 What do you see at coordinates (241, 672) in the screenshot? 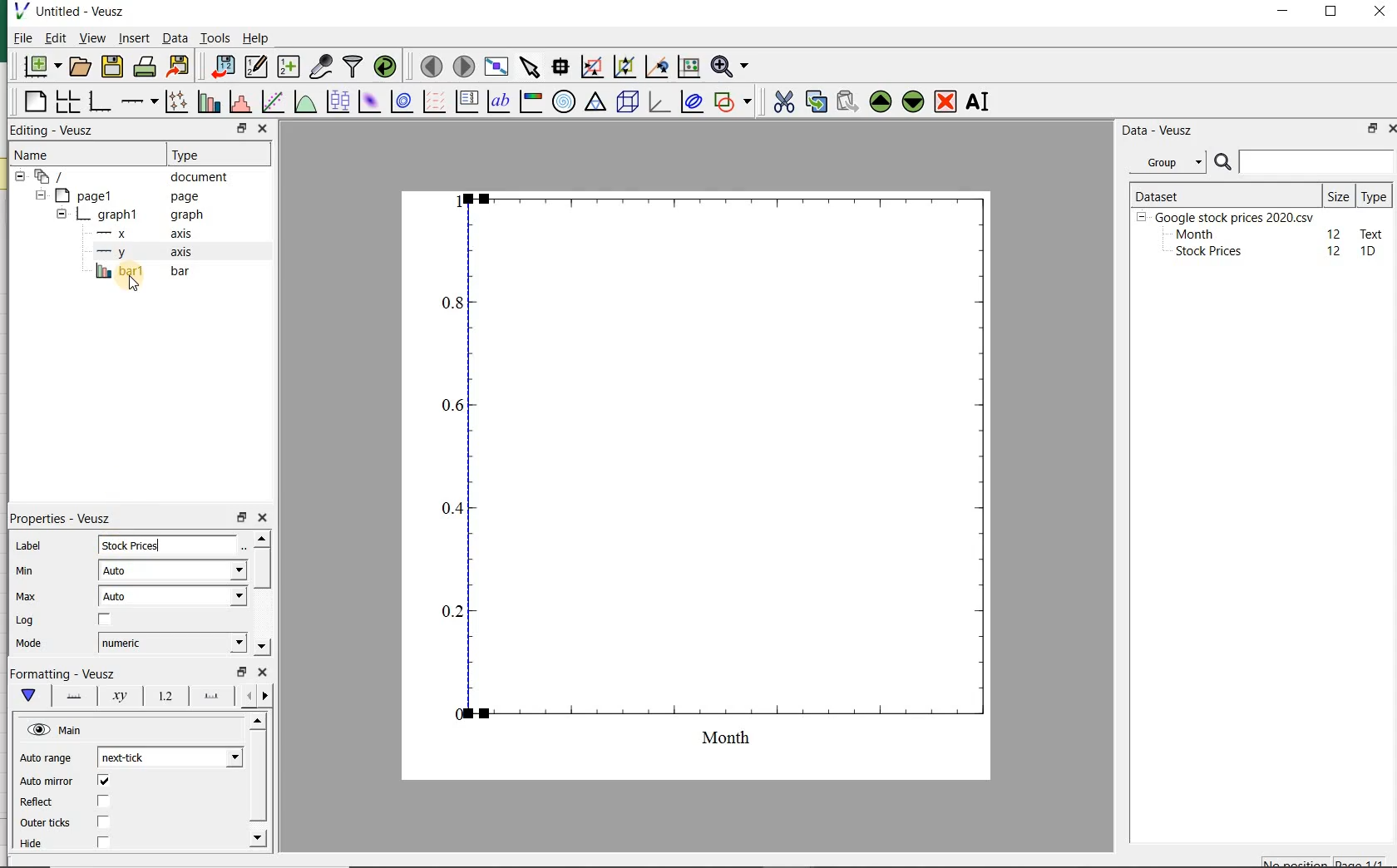
I see `restore` at bounding box center [241, 672].